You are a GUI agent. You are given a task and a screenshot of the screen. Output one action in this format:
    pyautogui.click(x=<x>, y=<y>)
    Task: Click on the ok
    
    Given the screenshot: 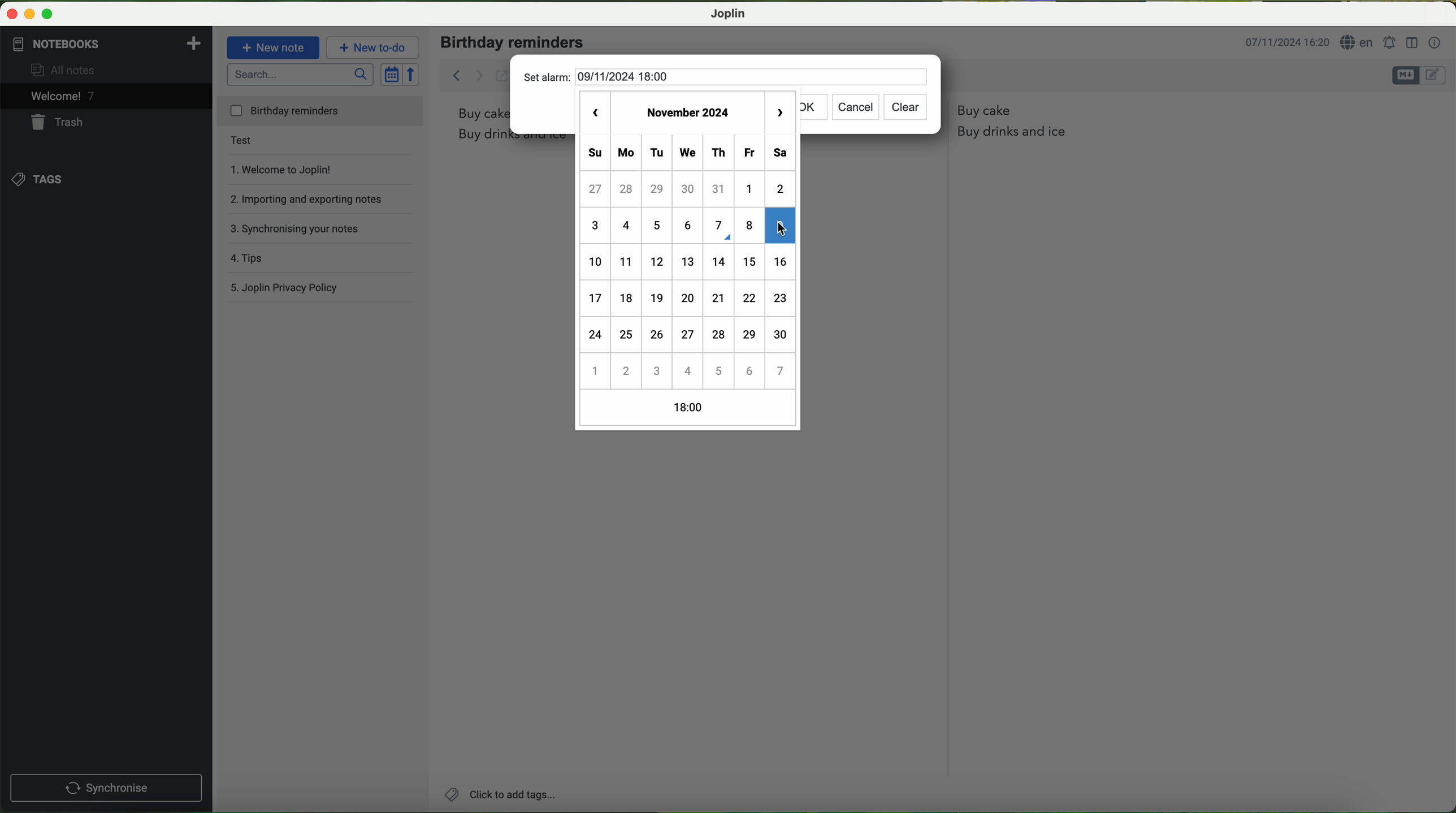 What is the action you would take?
    pyautogui.click(x=816, y=110)
    